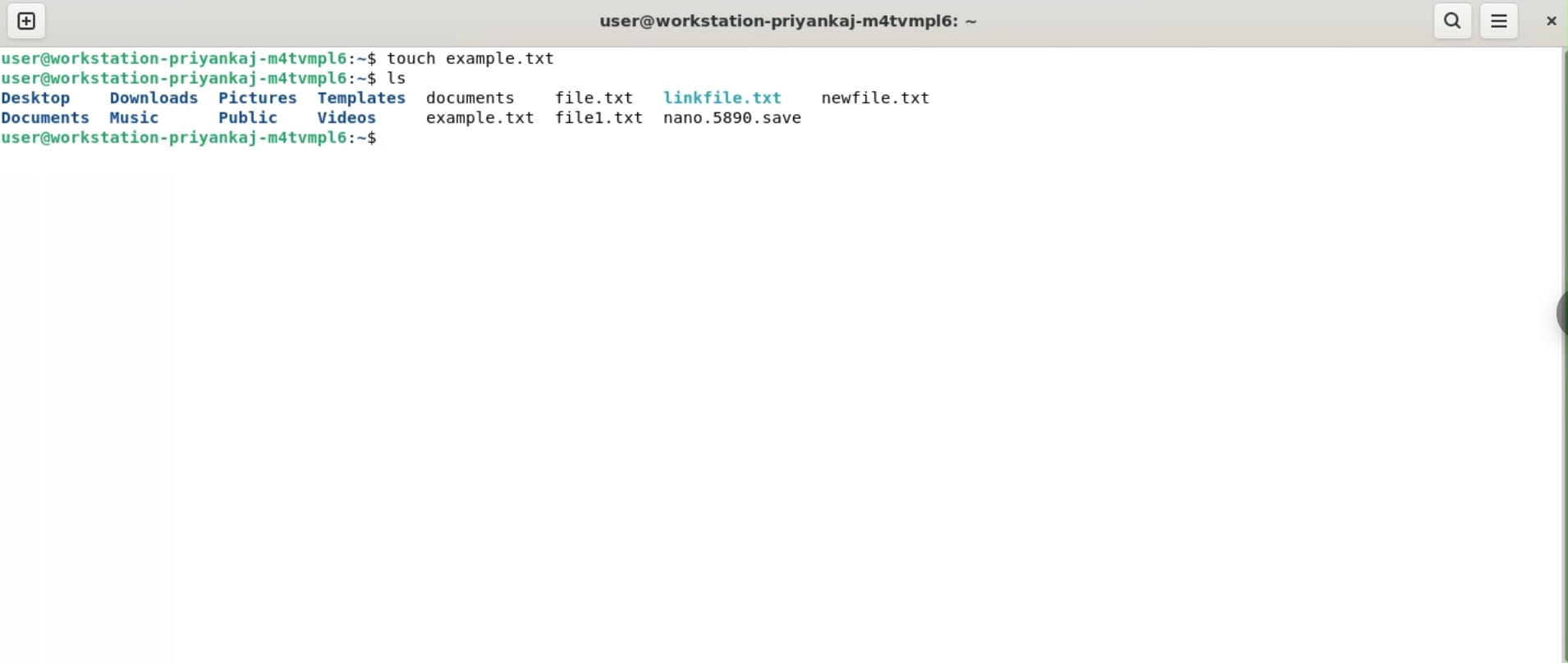  I want to click on templates, so click(363, 98).